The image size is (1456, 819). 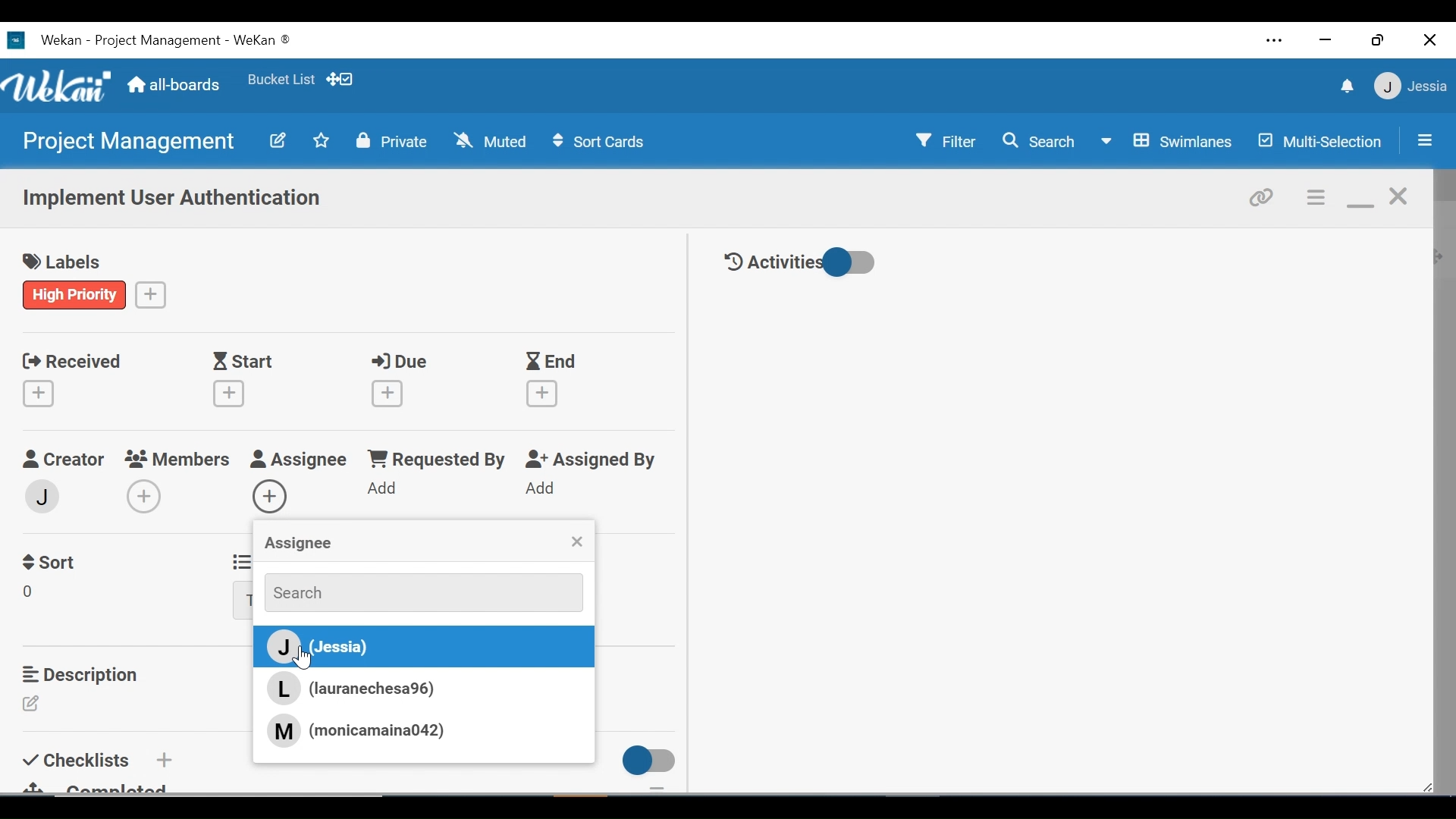 I want to click on labels, so click(x=67, y=263).